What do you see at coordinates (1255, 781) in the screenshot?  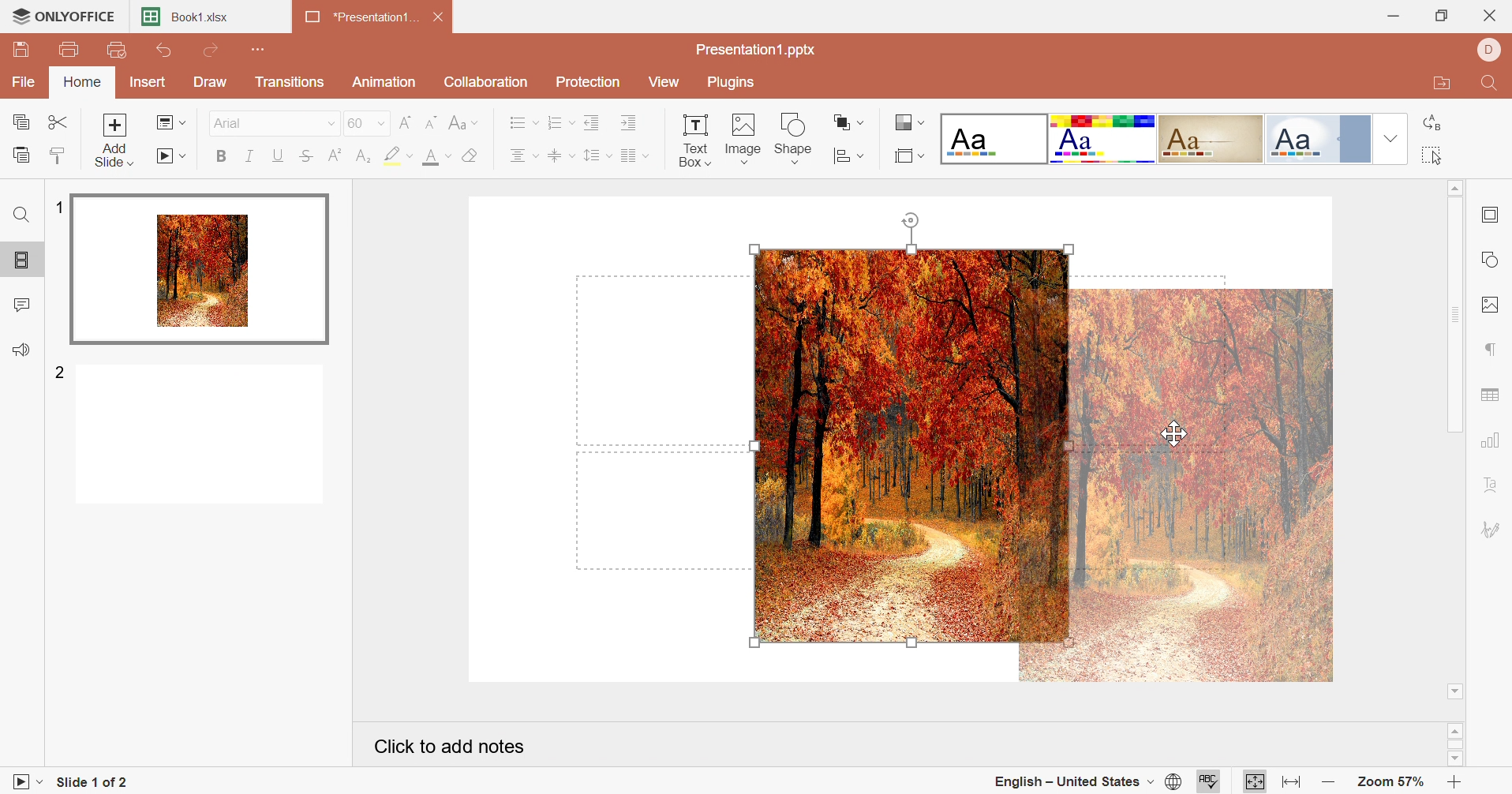 I see `Fit to slide` at bounding box center [1255, 781].